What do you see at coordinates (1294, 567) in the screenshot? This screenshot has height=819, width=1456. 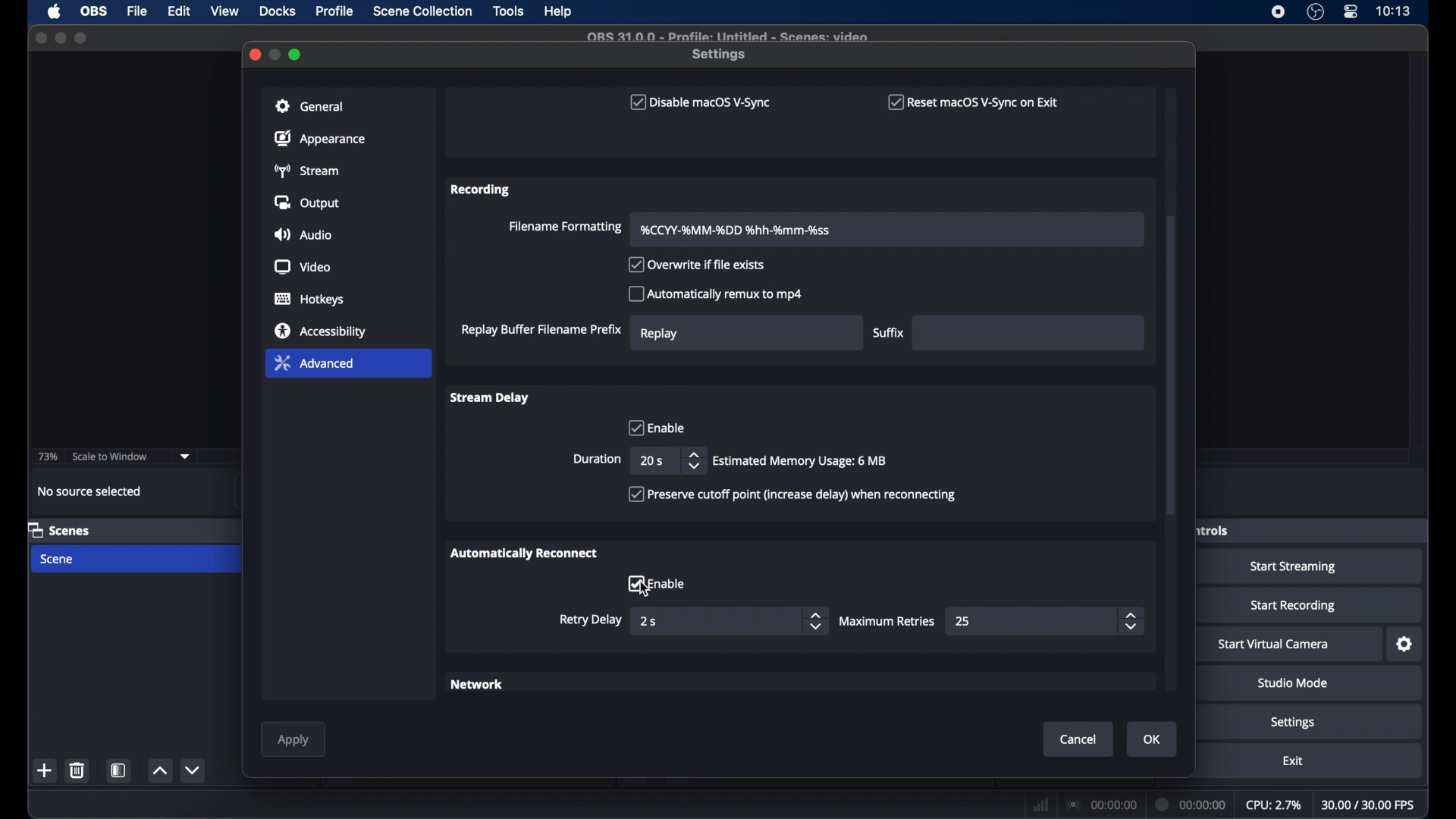 I see `start streaming` at bounding box center [1294, 567].